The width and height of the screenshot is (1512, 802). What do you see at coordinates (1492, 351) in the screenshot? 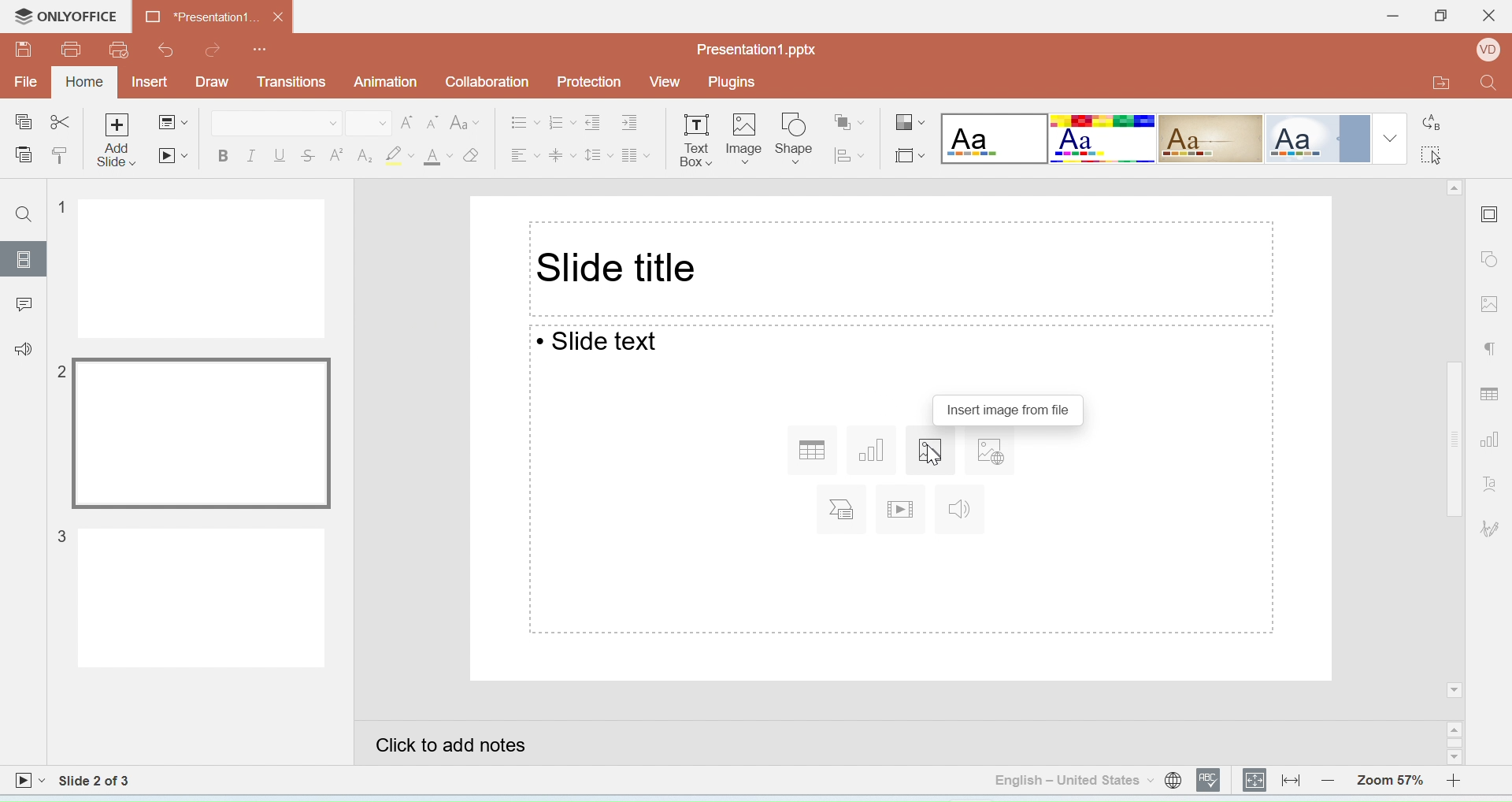
I see `Paragraph settings` at bounding box center [1492, 351].